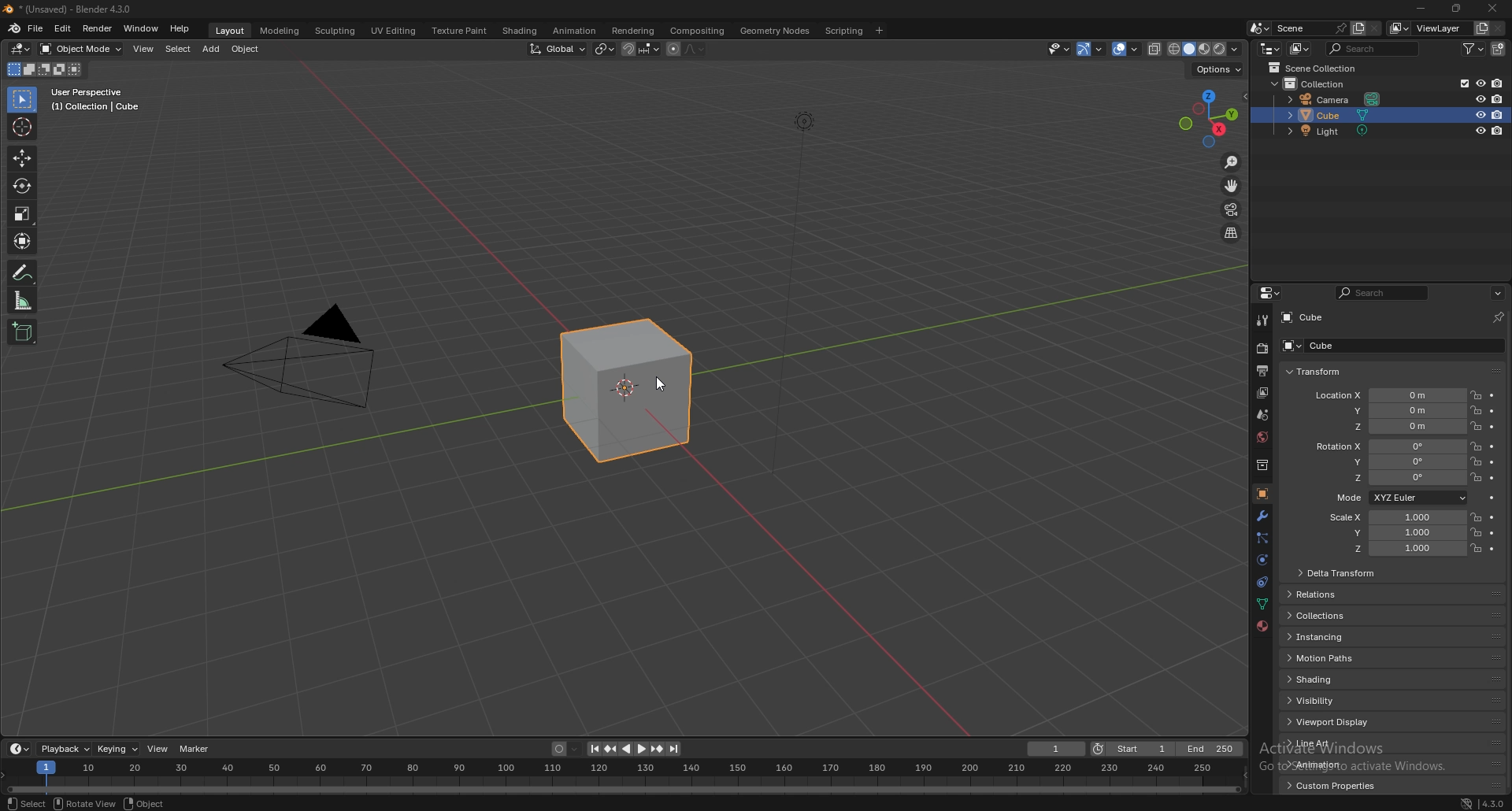  I want to click on render, so click(1262, 347).